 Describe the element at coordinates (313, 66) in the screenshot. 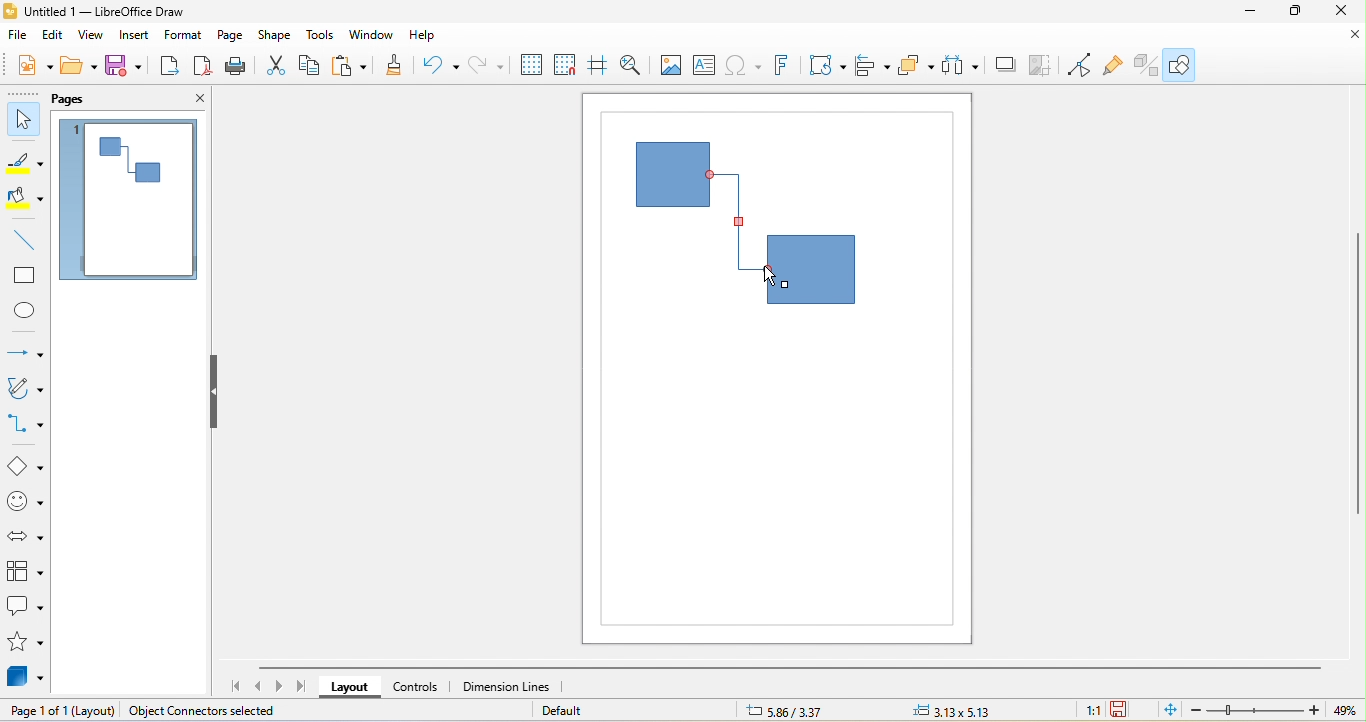

I see `copy` at that location.